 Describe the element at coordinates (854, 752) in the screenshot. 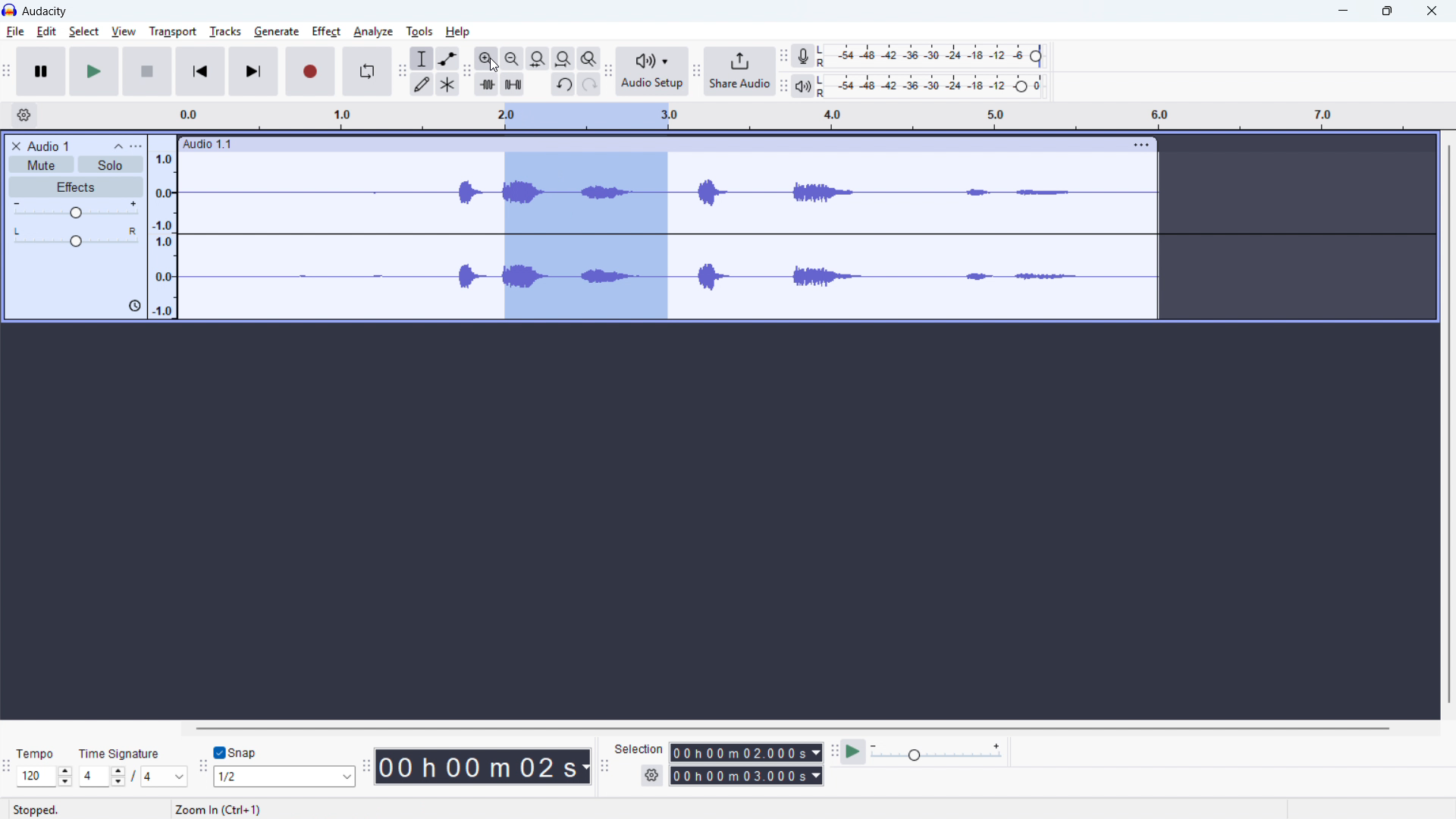

I see `Play at speed ` at that location.